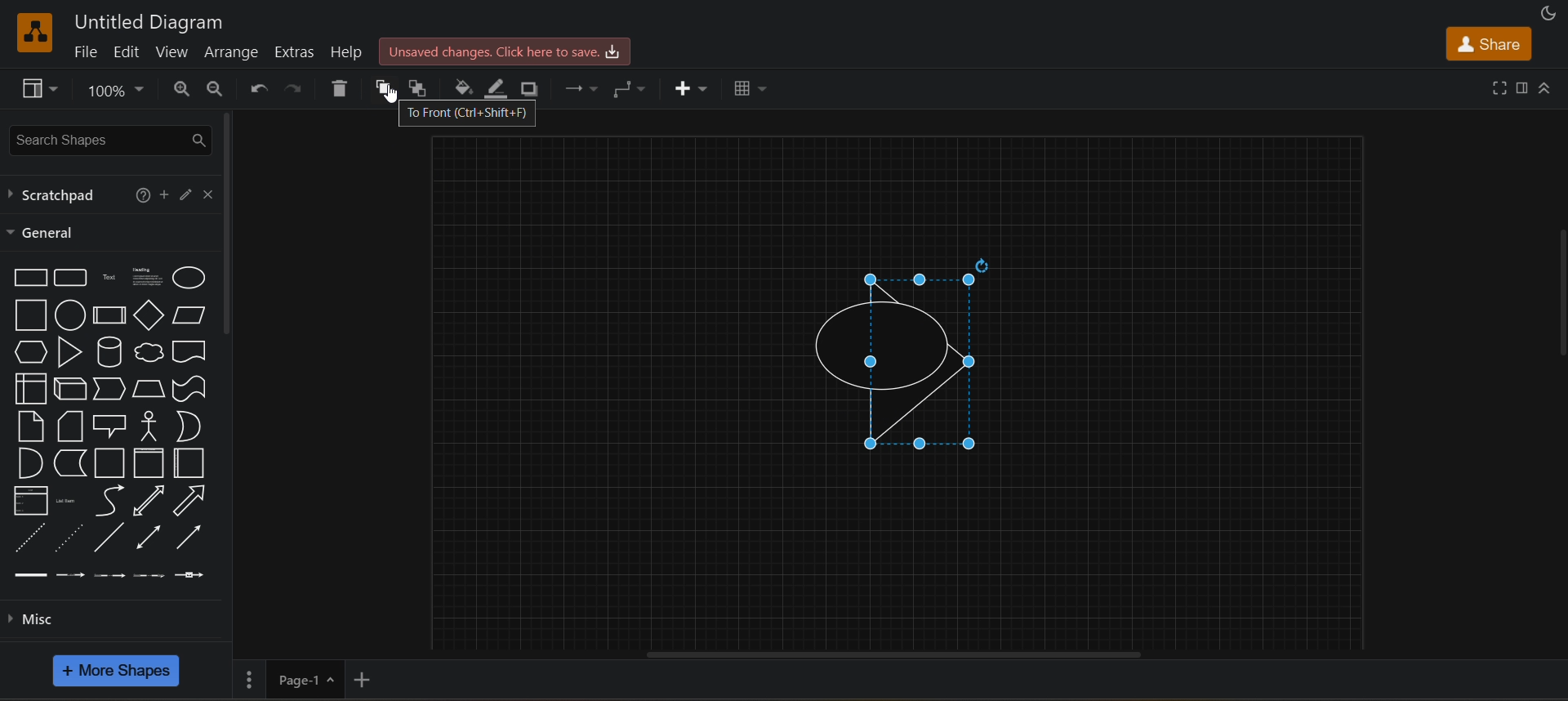 The width and height of the screenshot is (1568, 701). Describe the element at coordinates (109, 352) in the screenshot. I see `cylinder` at that location.